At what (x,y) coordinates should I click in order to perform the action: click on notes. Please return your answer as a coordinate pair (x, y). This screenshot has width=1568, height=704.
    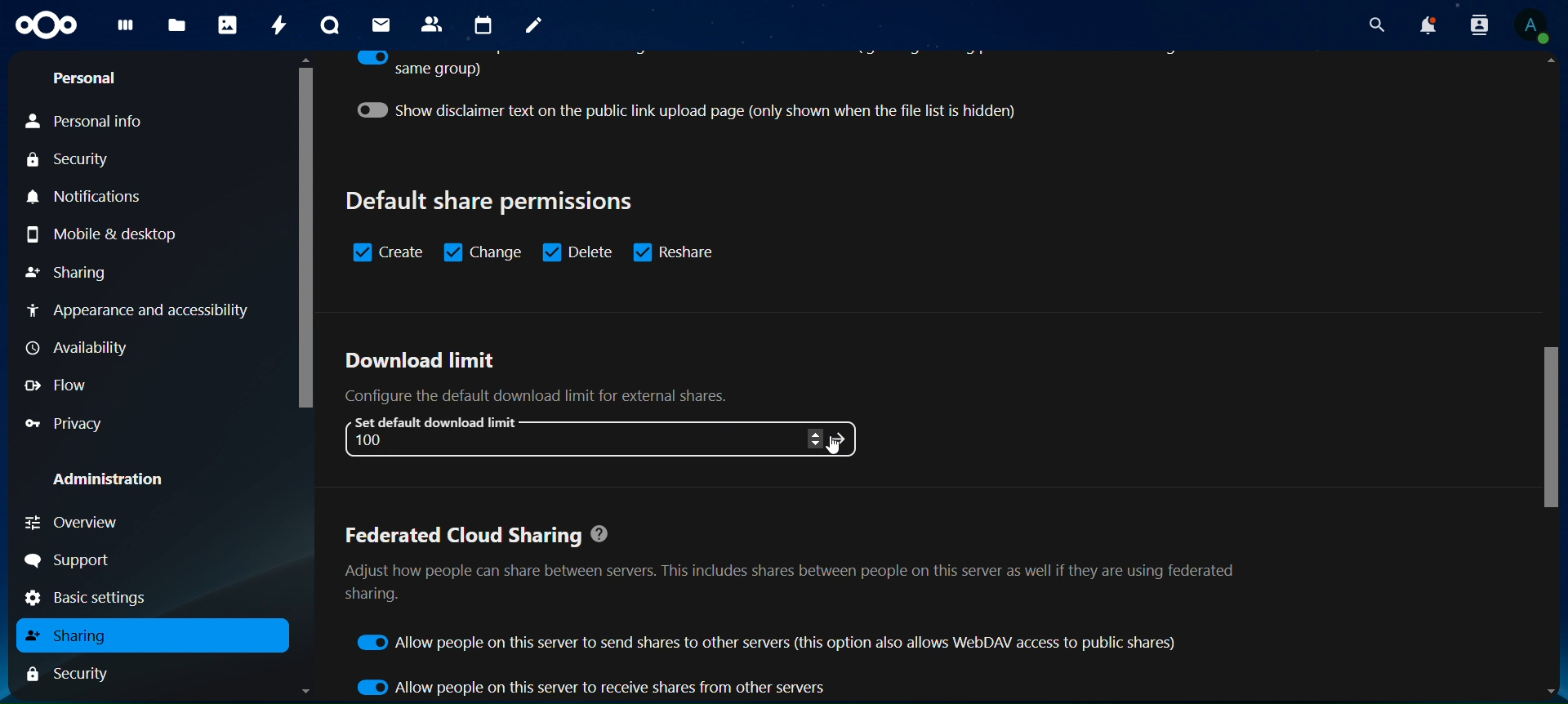
    Looking at the image, I should click on (535, 28).